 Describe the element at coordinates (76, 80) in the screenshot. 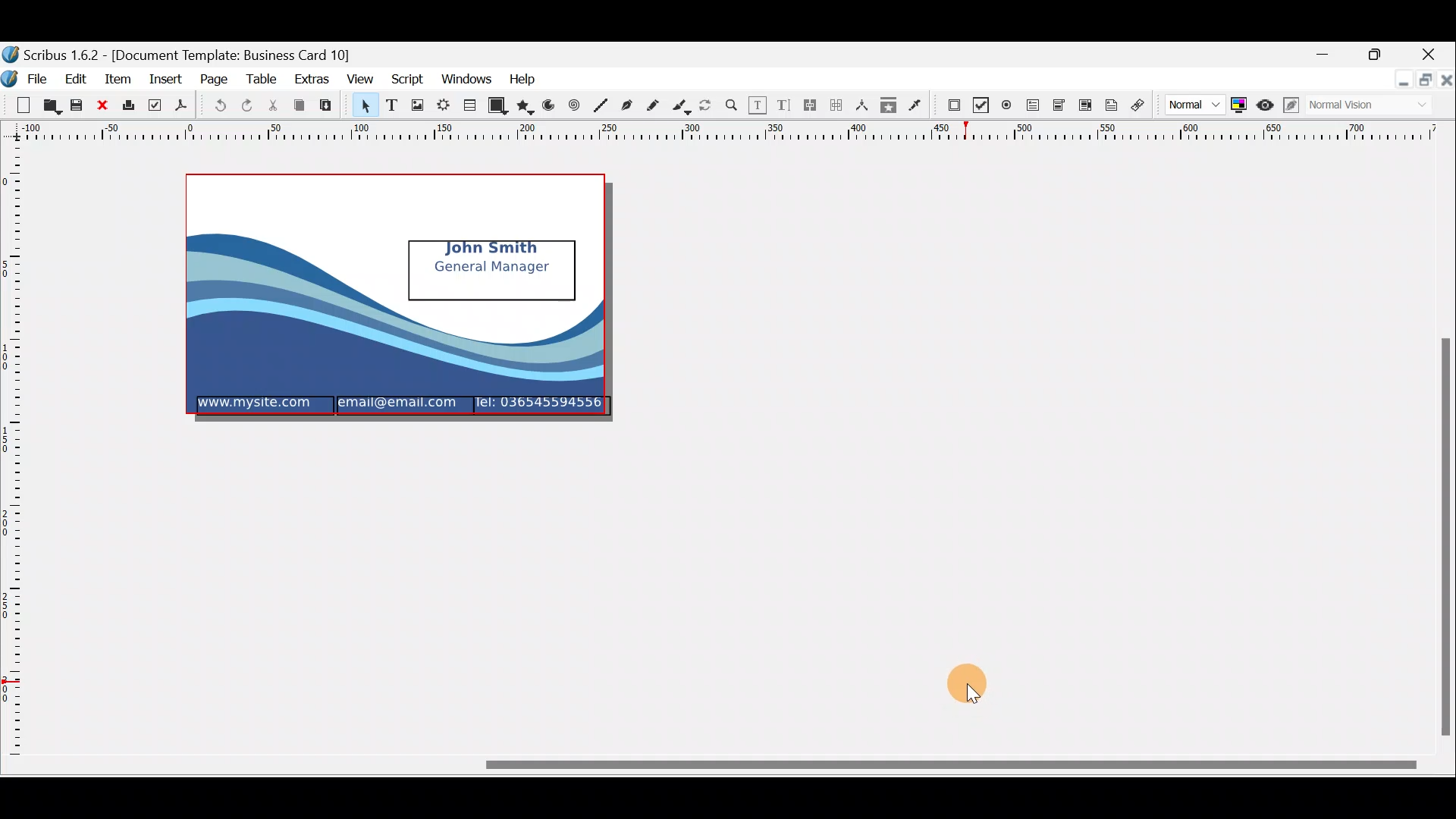

I see `Edit` at that location.